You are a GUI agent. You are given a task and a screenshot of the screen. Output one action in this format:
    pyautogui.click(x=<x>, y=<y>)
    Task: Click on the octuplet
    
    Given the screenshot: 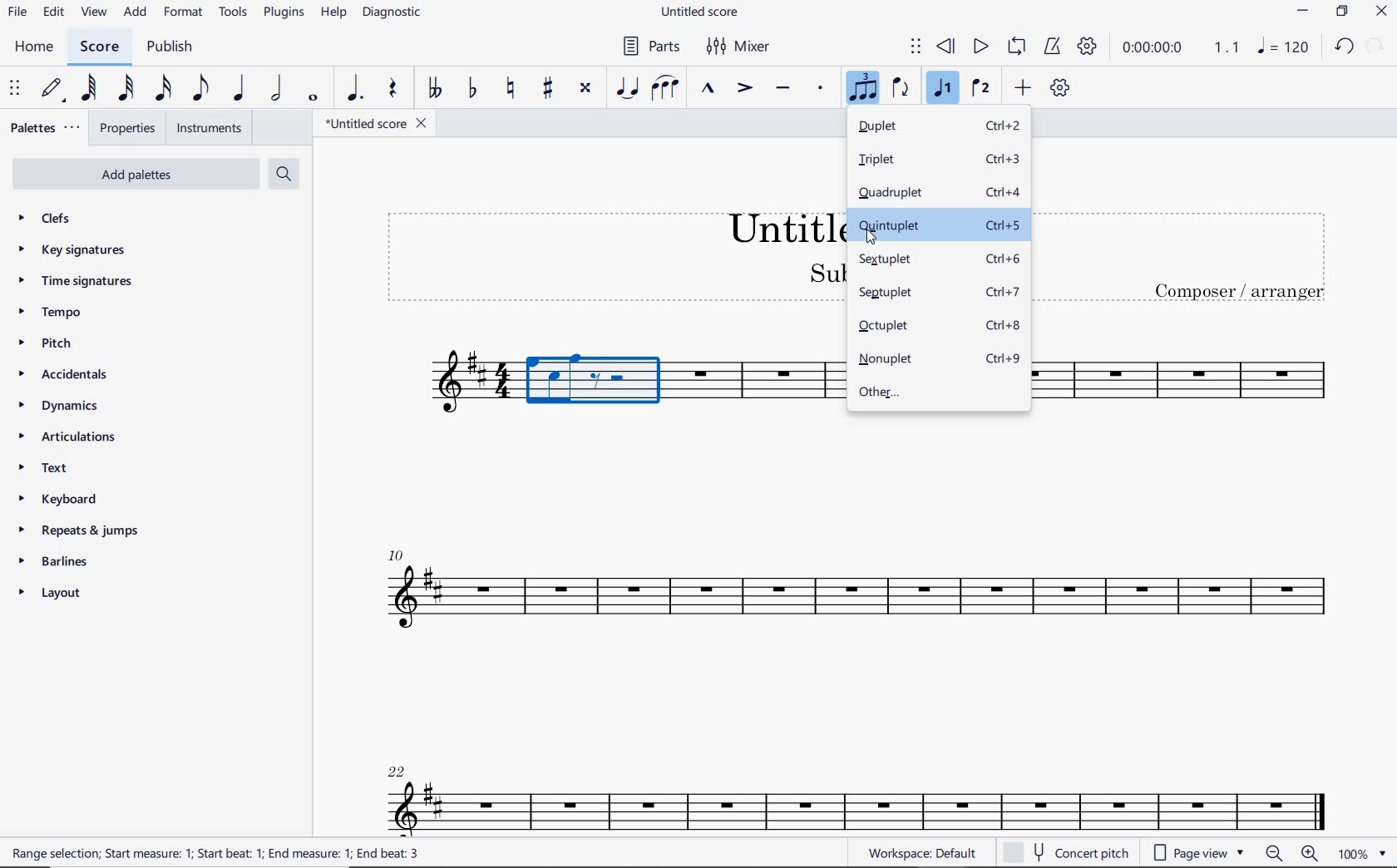 What is the action you would take?
    pyautogui.click(x=940, y=323)
    